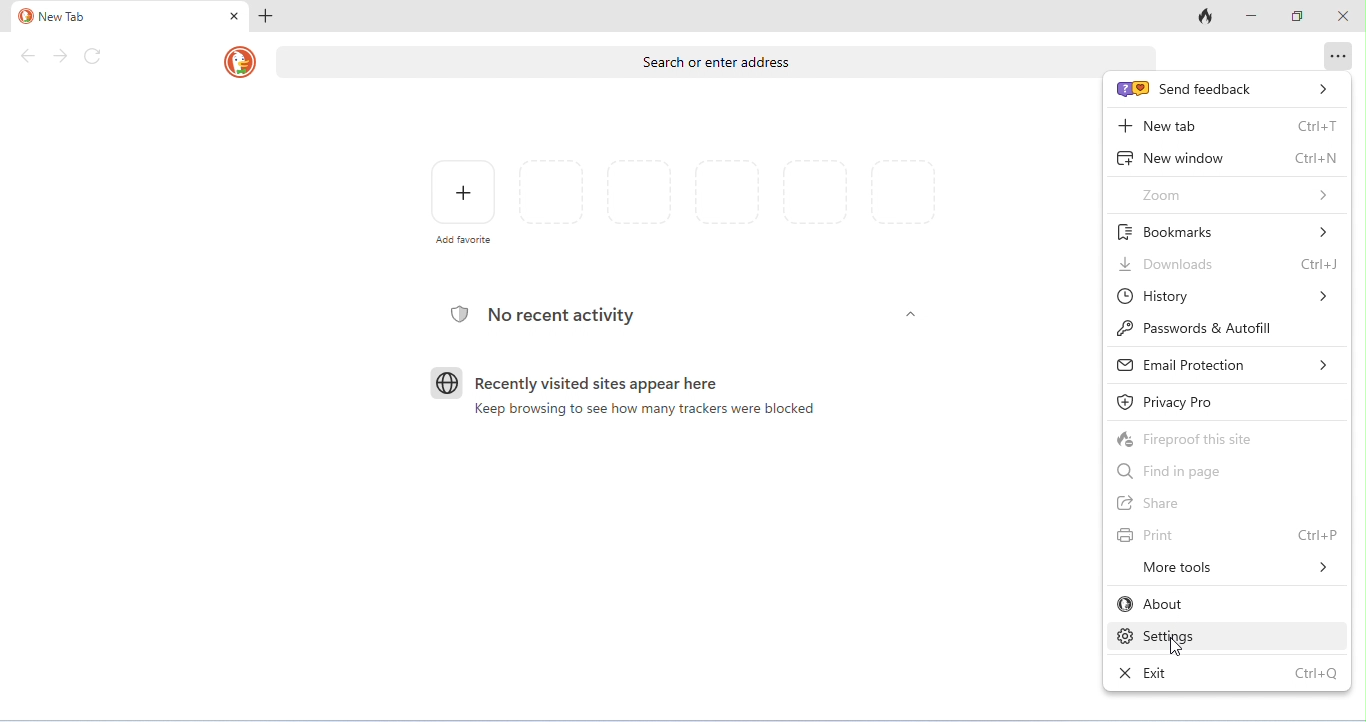  What do you see at coordinates (1229, 331) in the screenshot?
I see `password and autofill` at bounding box center [1229, 331].